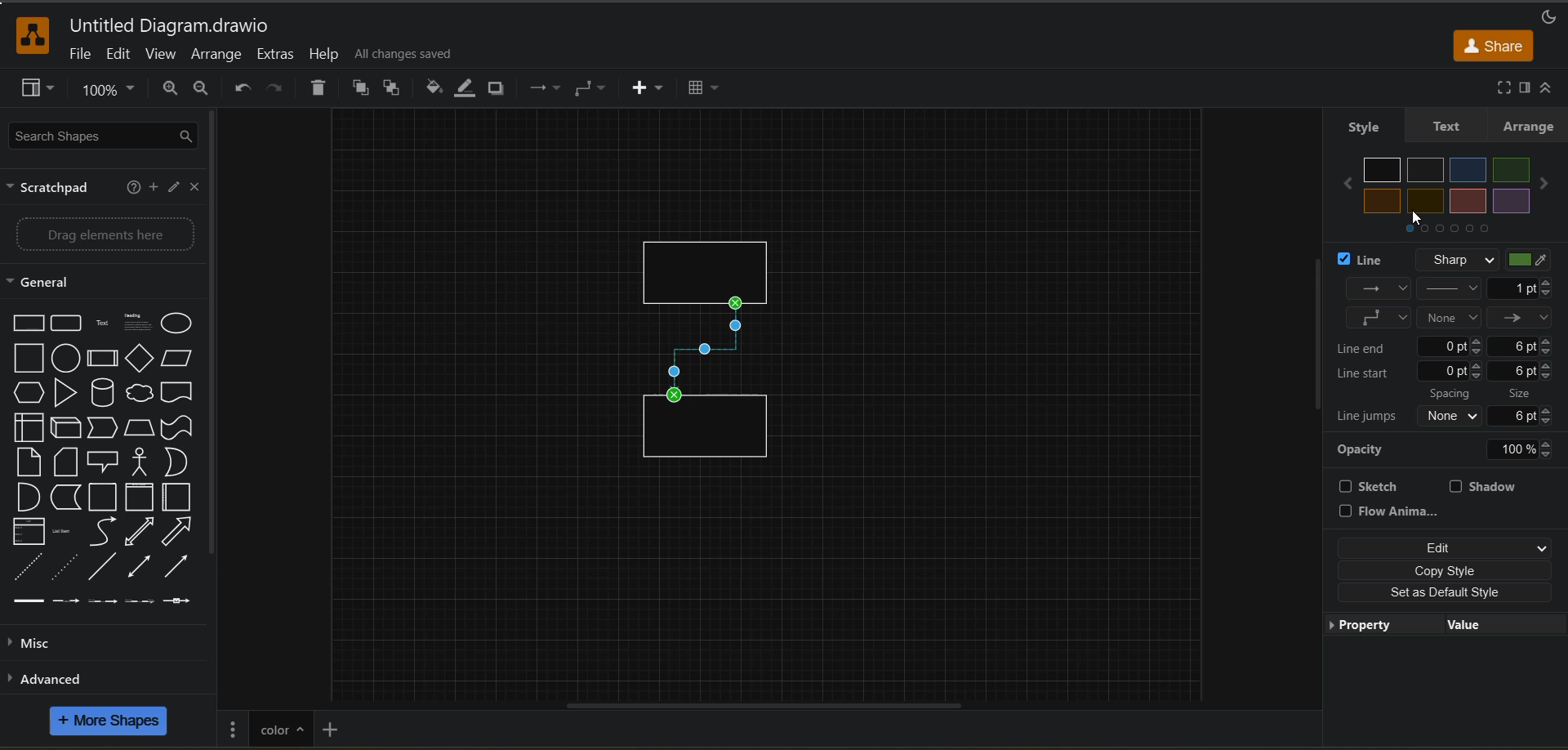 The width and height of the screenshot is (1568, 750). I want to click on view, so click(163, 56).